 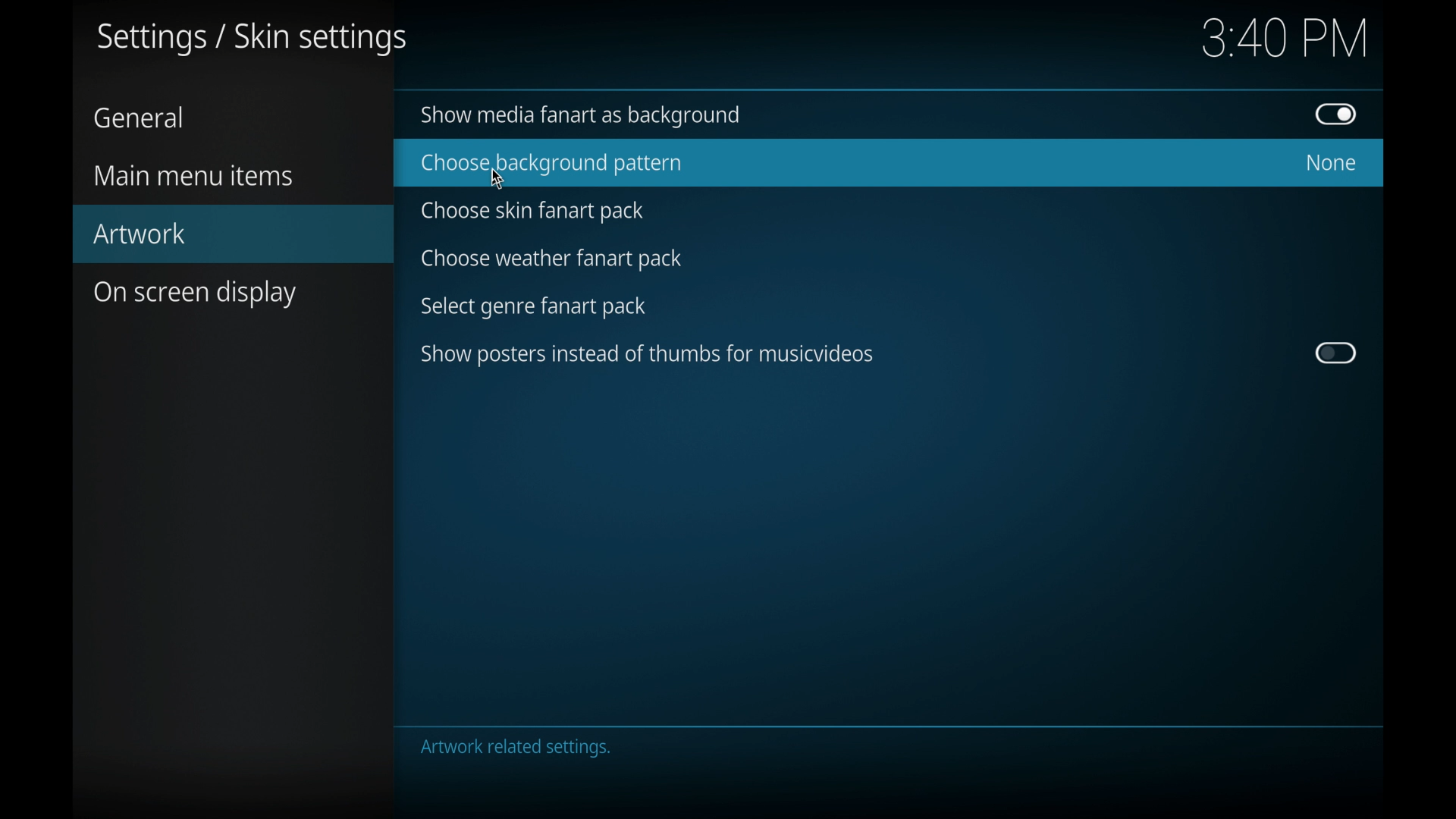 I want to click on settings/skin settings, so click(x=252, y=40).